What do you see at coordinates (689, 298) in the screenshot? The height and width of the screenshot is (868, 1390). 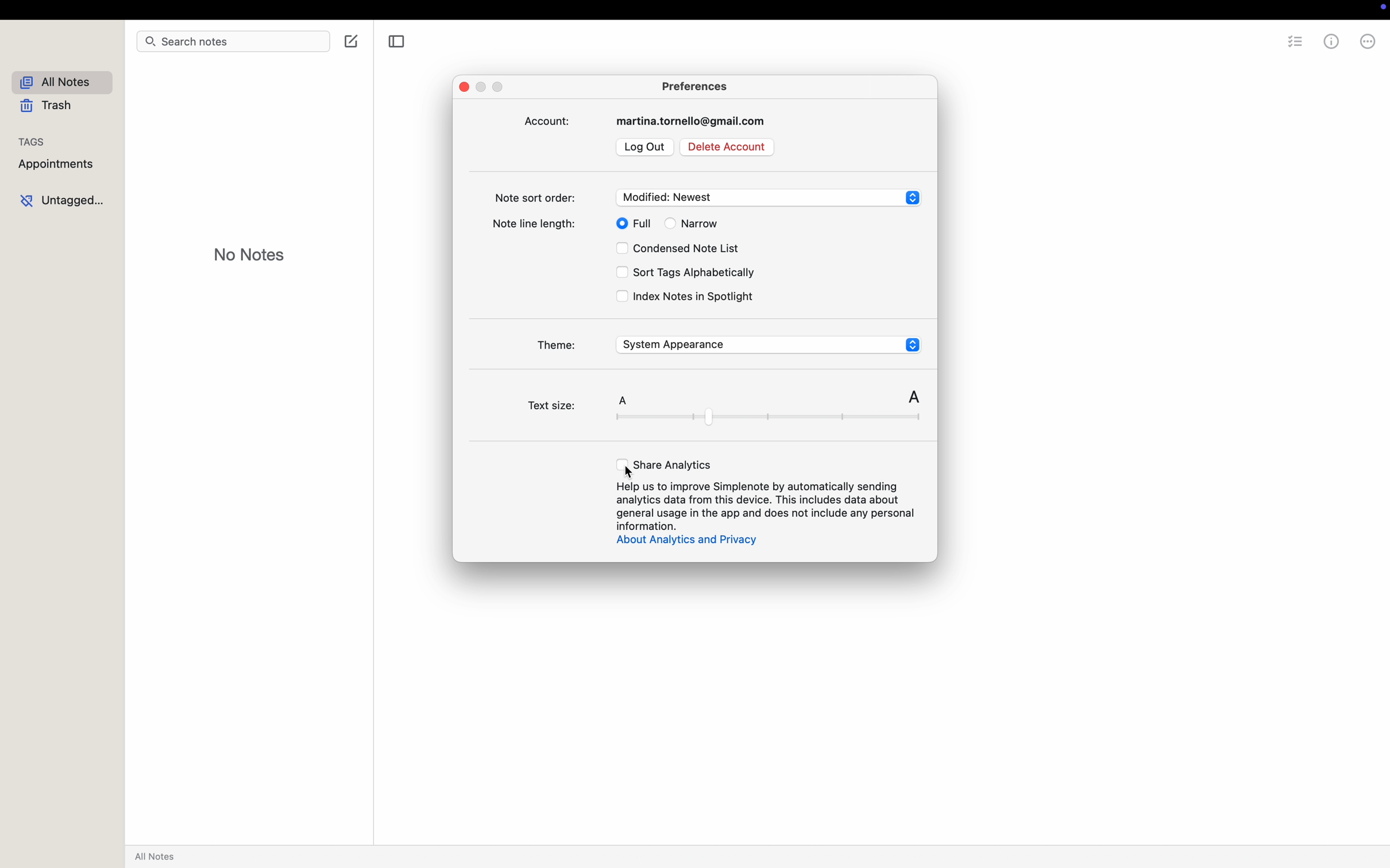 I see `index notes in Spotlight` at bounding box center [689, 298].